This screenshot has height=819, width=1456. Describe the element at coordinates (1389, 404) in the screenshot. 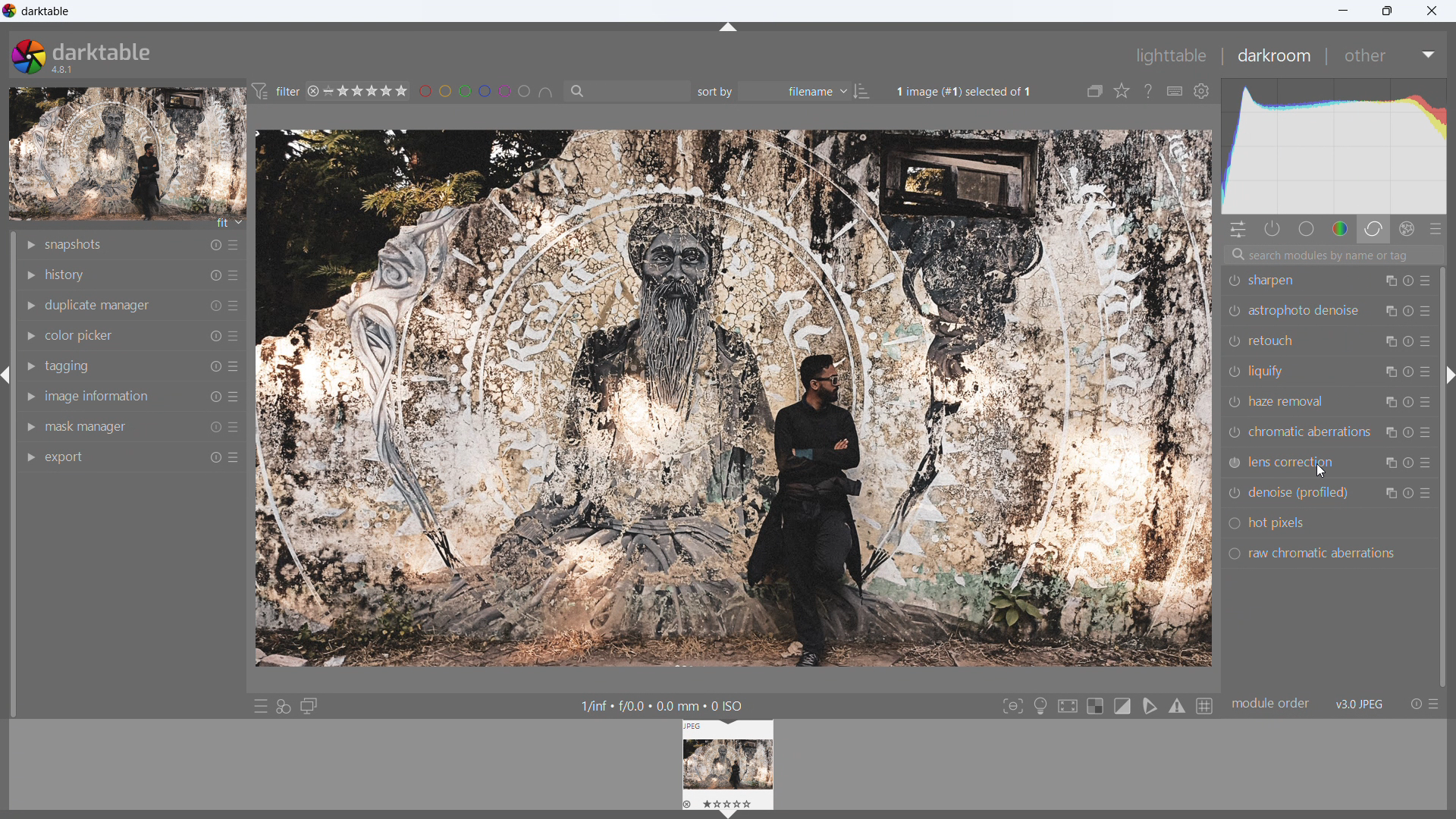

I see `multiple instance action` at that location.